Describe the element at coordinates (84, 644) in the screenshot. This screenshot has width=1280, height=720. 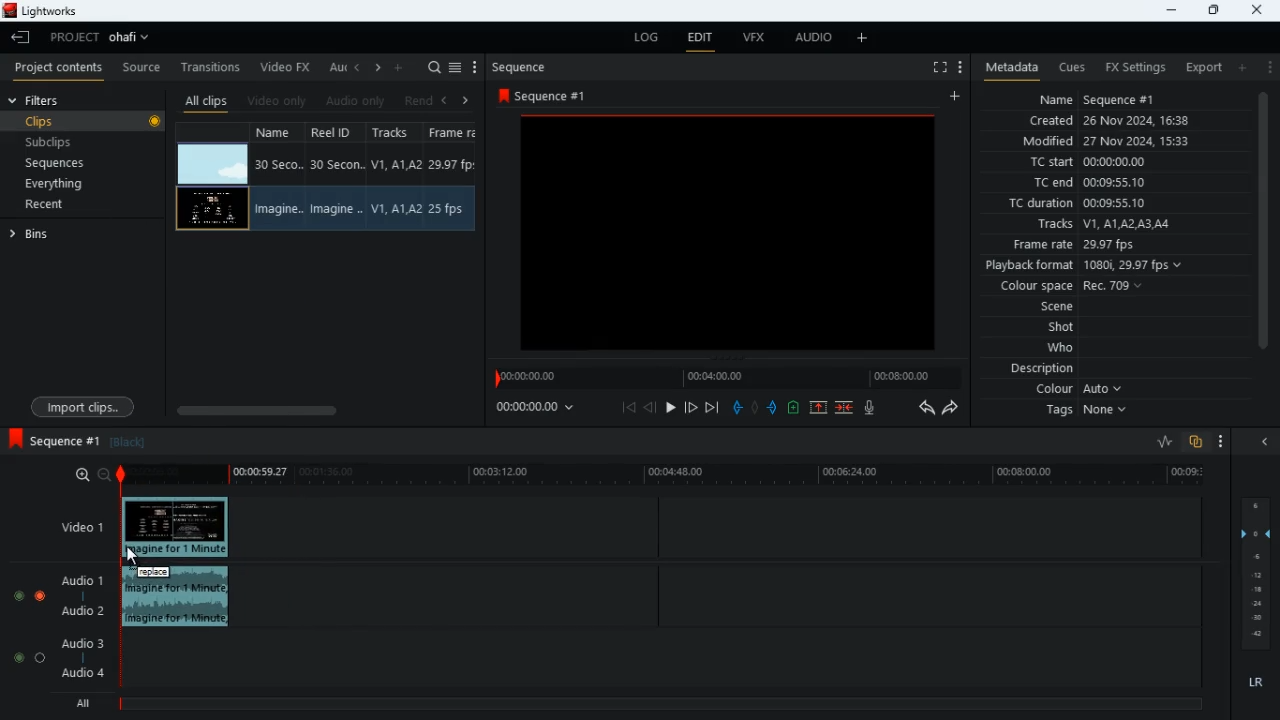
I see `audio 3` at that location.